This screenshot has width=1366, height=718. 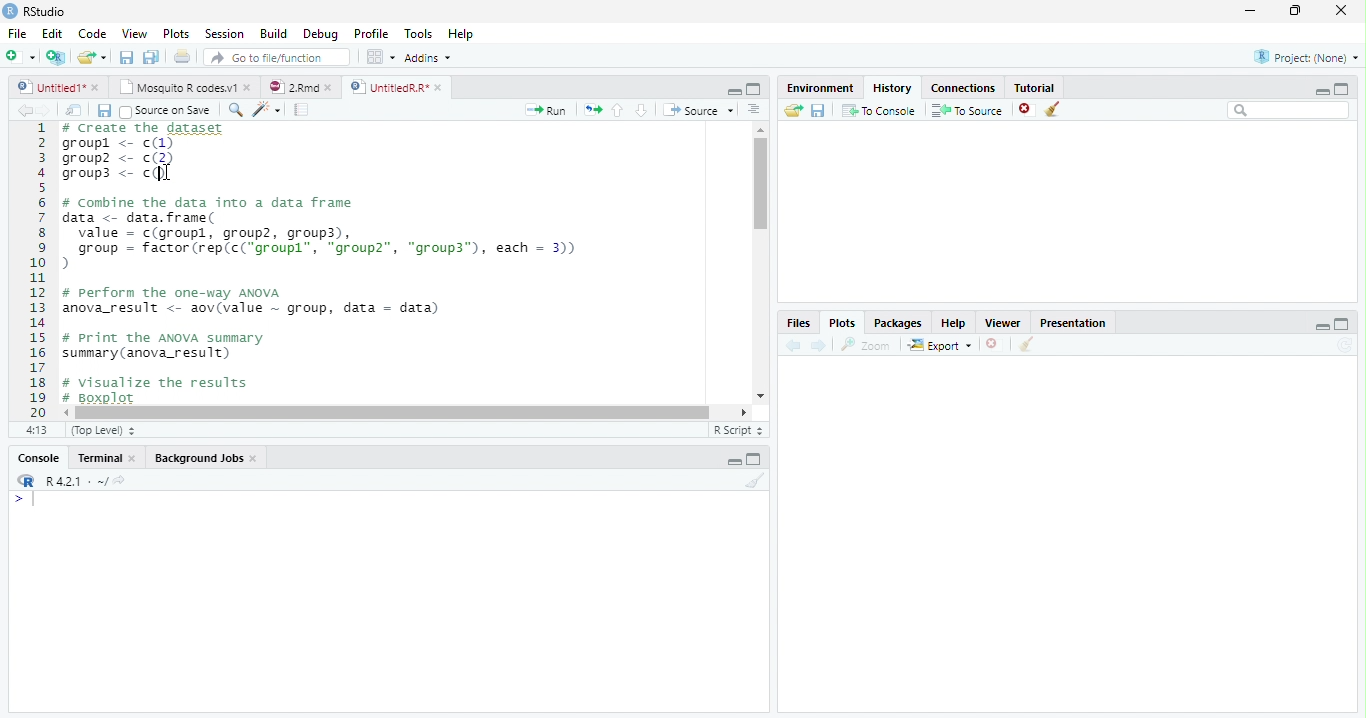 I want to click on Save, so click(x=128, y=58).